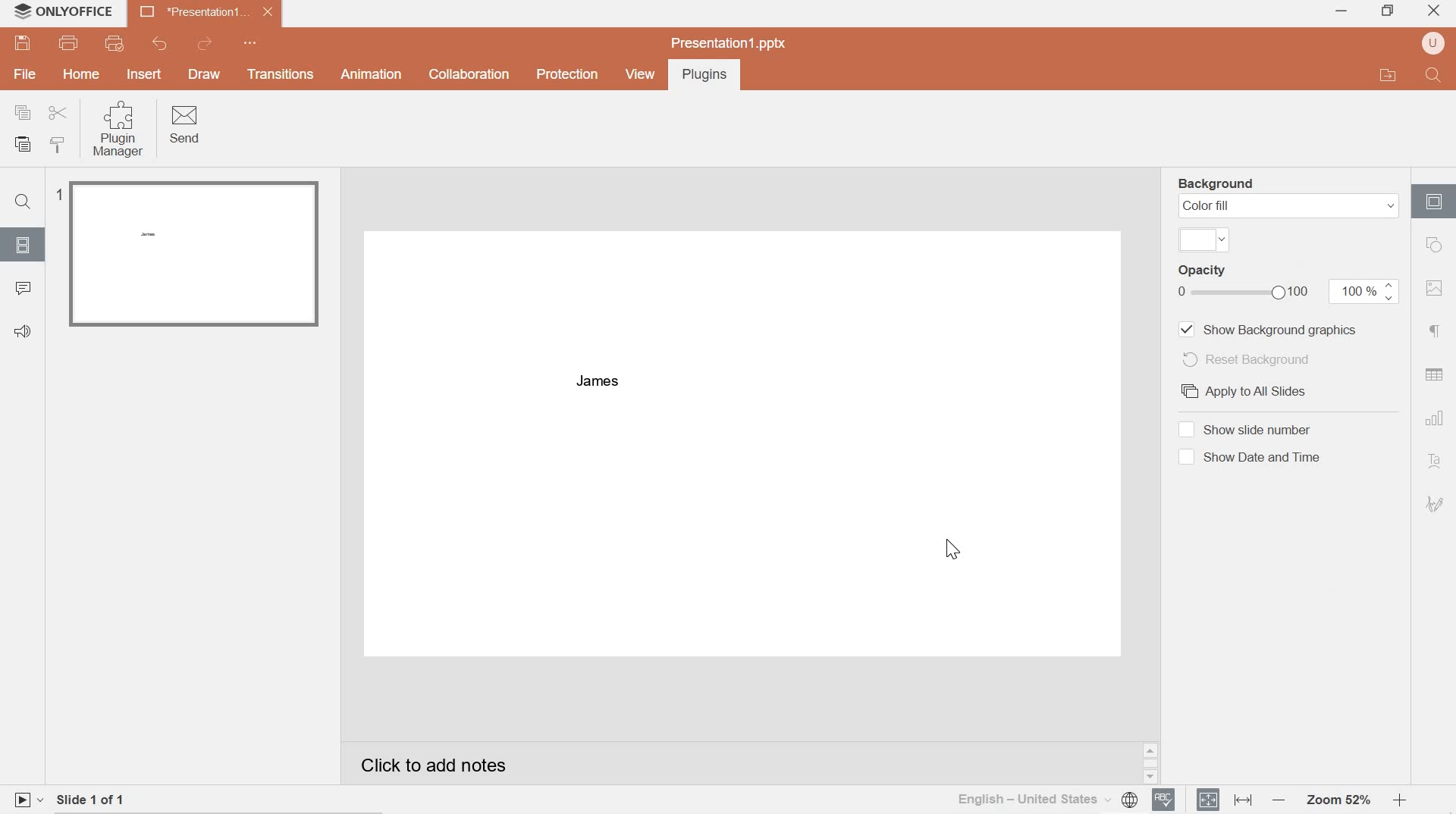 This screenshot has height=814, width=1456. What do you see at coordinates (21, 11) in the screenshot?
I see `system logo` at bounding box center [21, 11].